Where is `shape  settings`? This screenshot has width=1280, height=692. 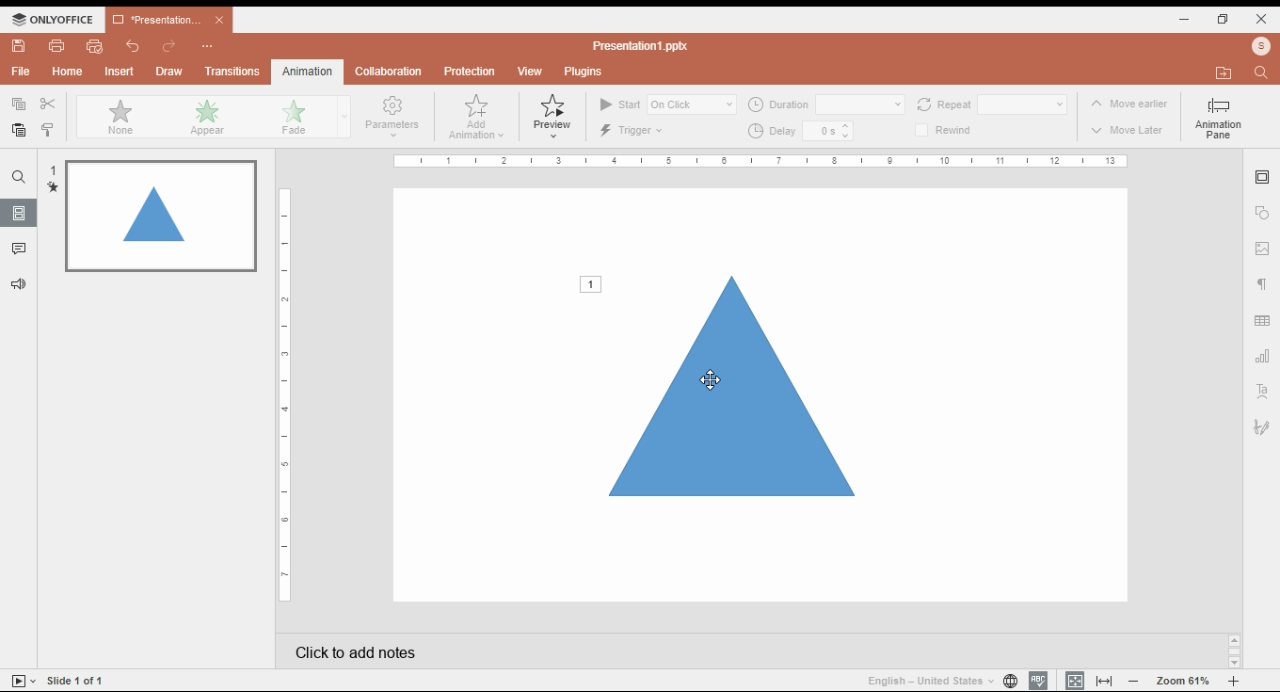 shape  settings is located at coordinates (1261, 214).